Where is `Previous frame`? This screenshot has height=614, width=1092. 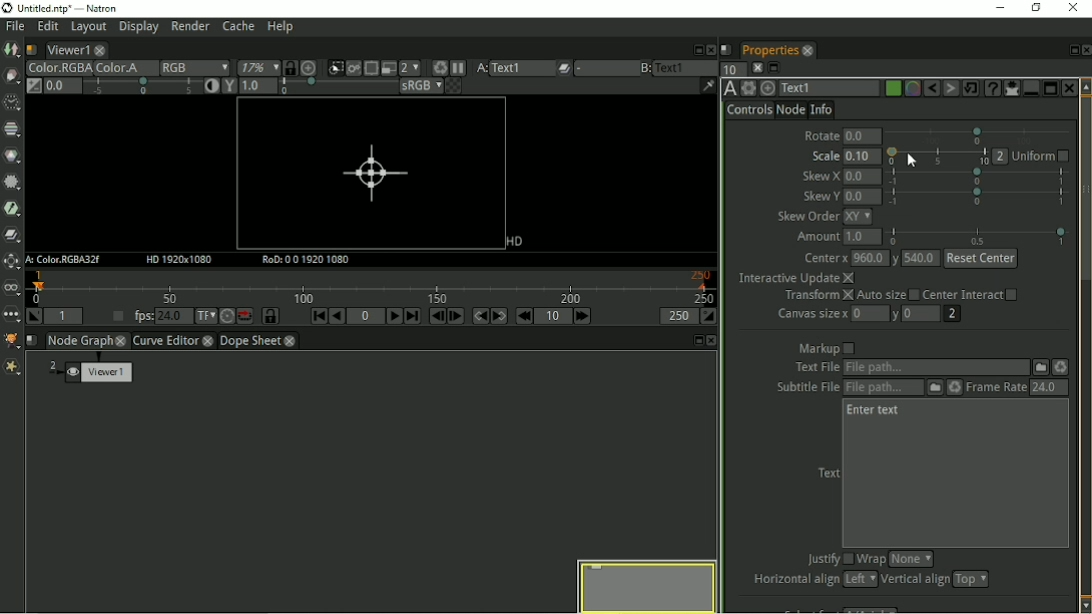 Previous frame is located at coordinates (437, 317).